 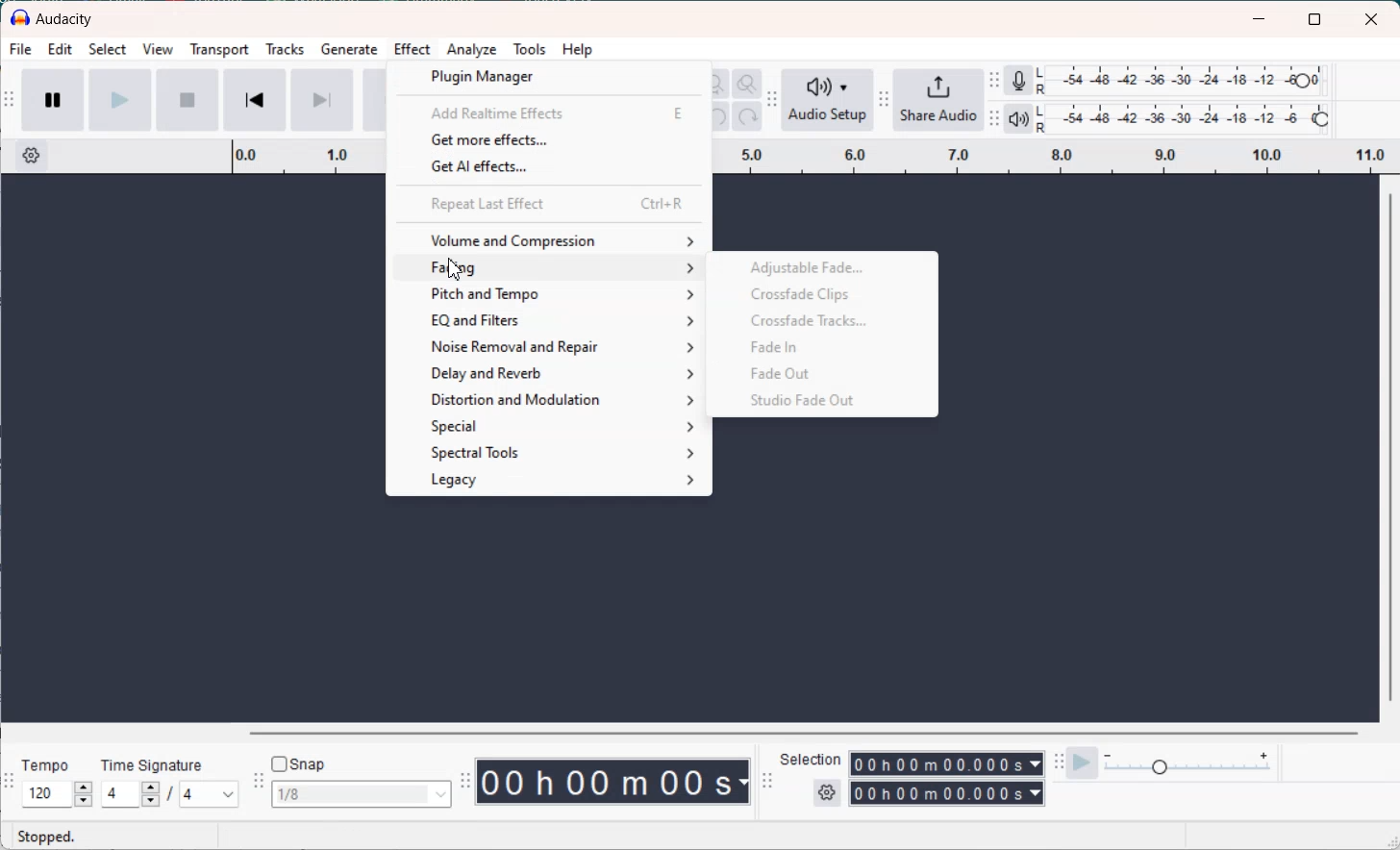 What do you see at coordinates (322, 100) in the screenshot?
I see `Skip to end` at bounding box center [322, 100].